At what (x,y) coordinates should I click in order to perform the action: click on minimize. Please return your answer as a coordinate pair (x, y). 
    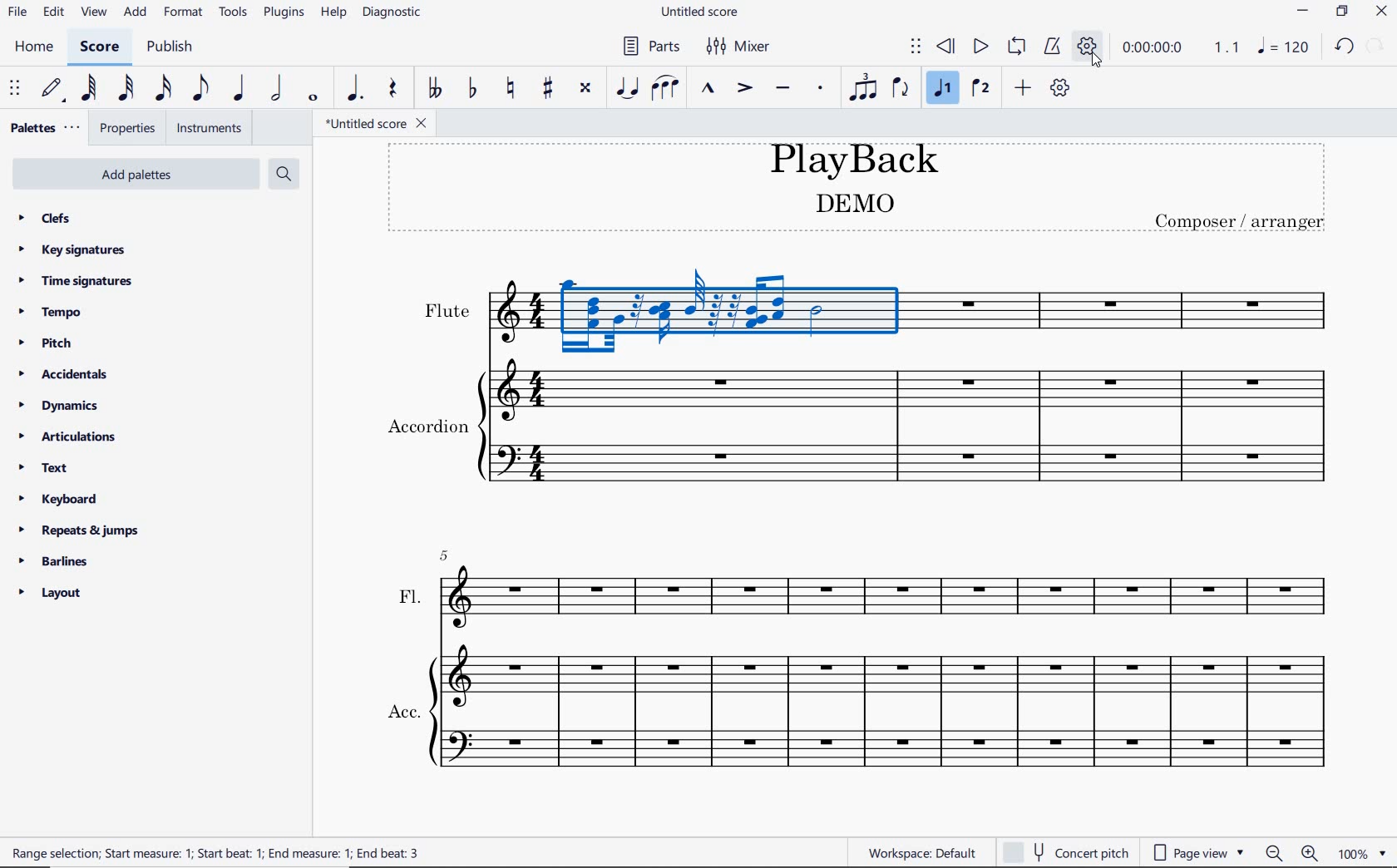
    Looking at the image, I should click on (1302, 8).